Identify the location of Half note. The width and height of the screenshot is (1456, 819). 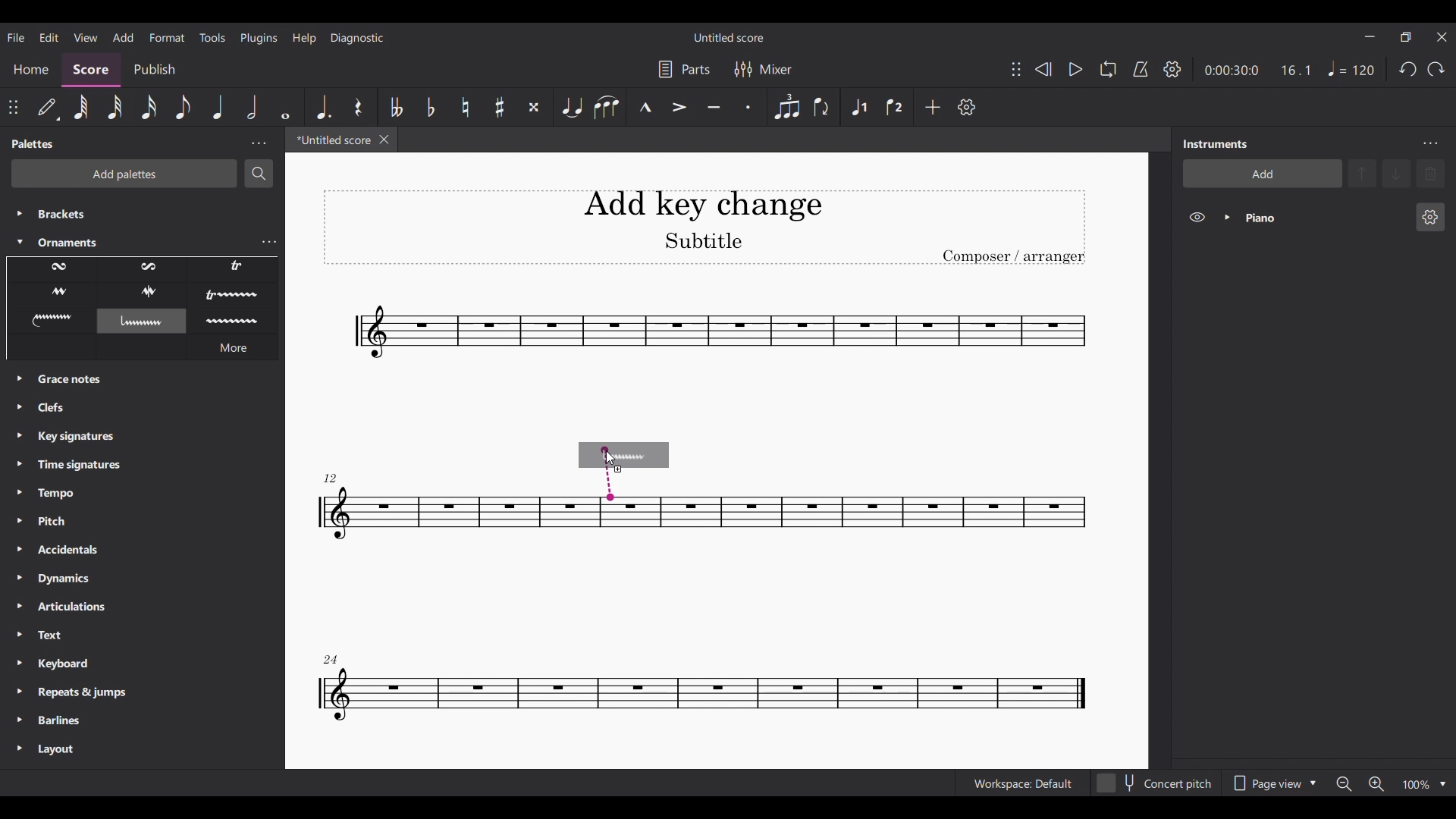
(253, 106).